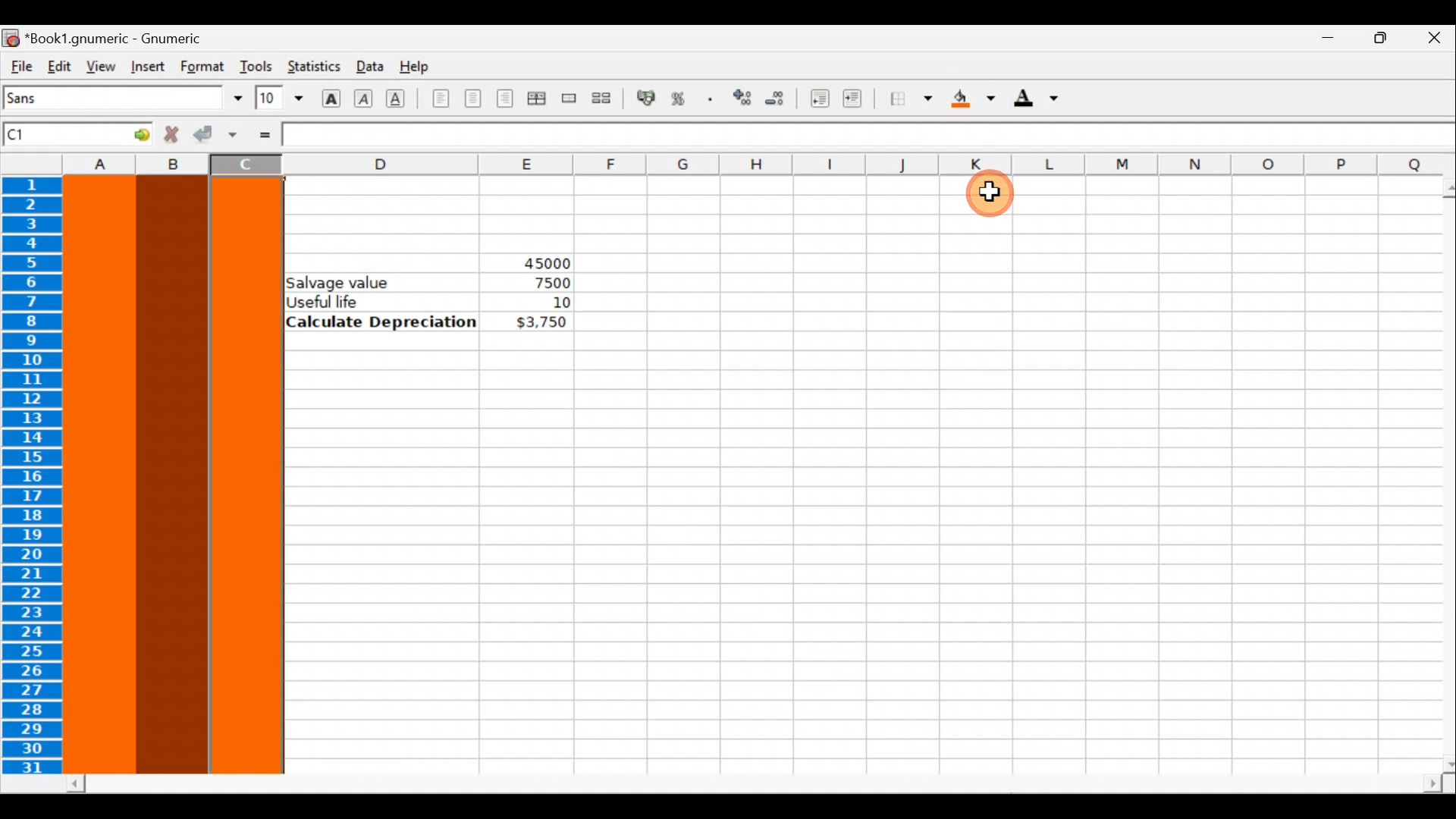  I want to click on Format the selection as accounting, so click(647, 100).